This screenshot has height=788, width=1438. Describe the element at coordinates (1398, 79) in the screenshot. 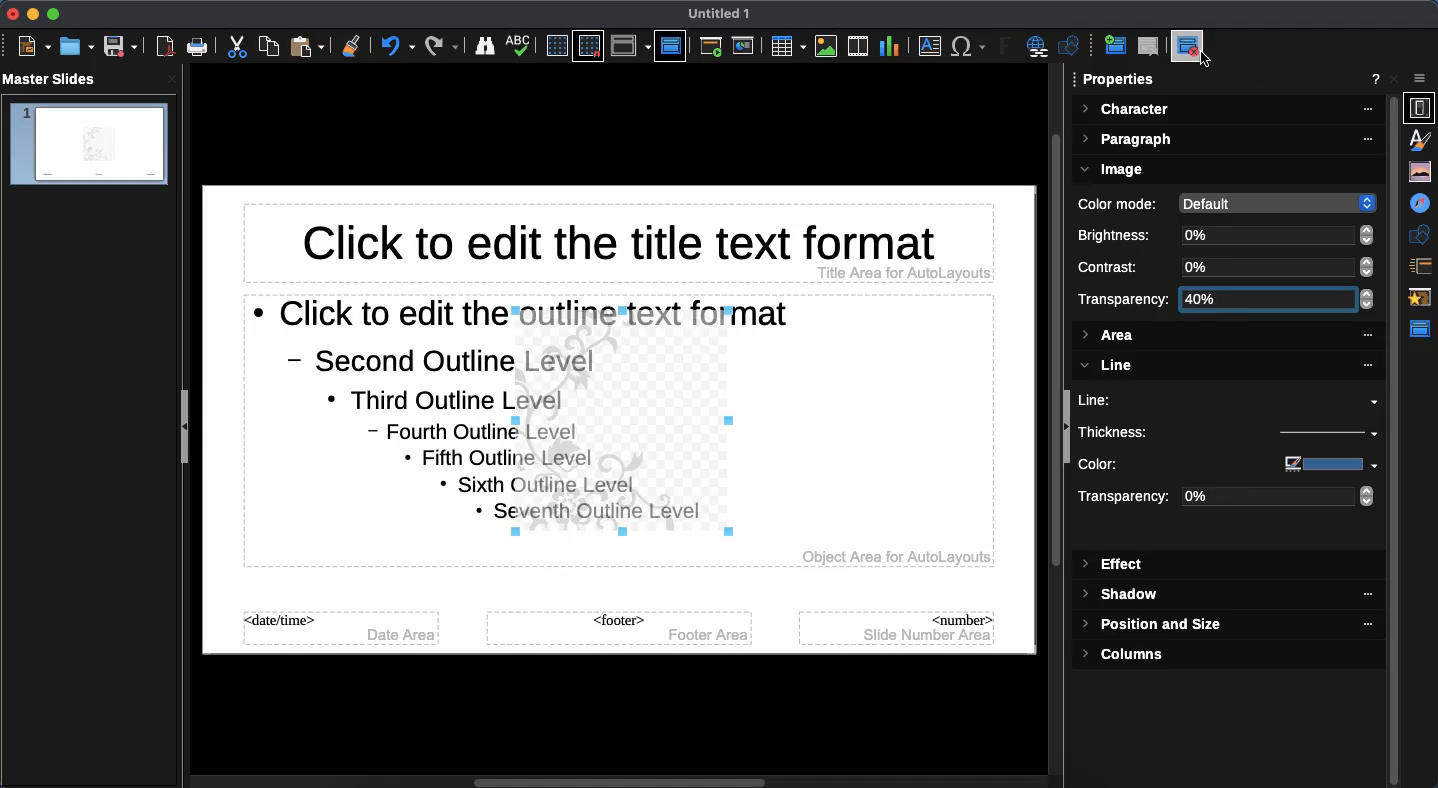

I see `Close` at that location.